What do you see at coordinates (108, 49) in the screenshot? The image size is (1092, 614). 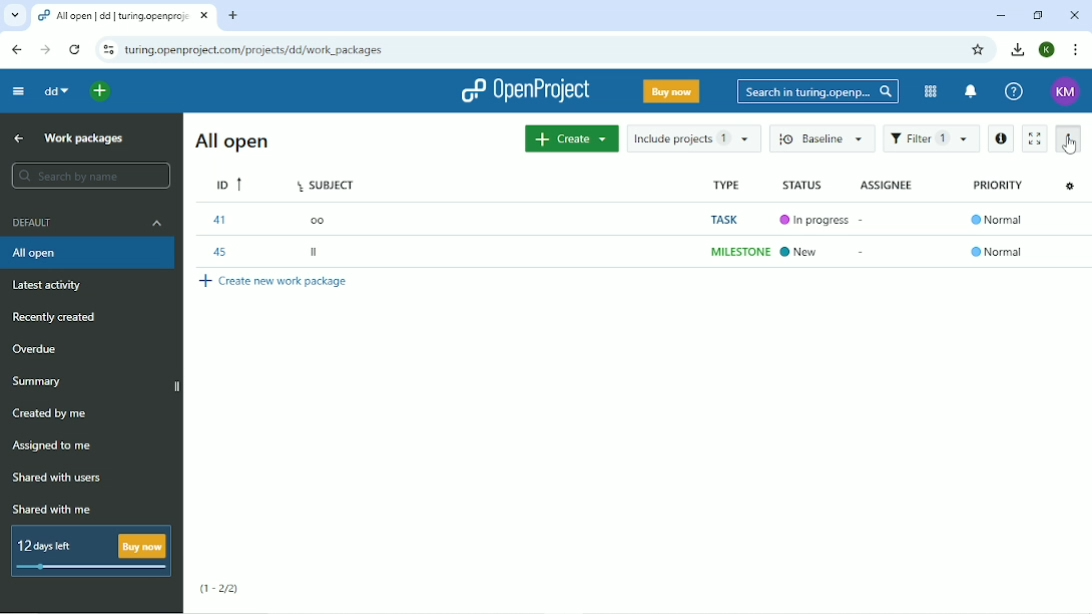 I see `View site information` at bounding box center [108, 49].